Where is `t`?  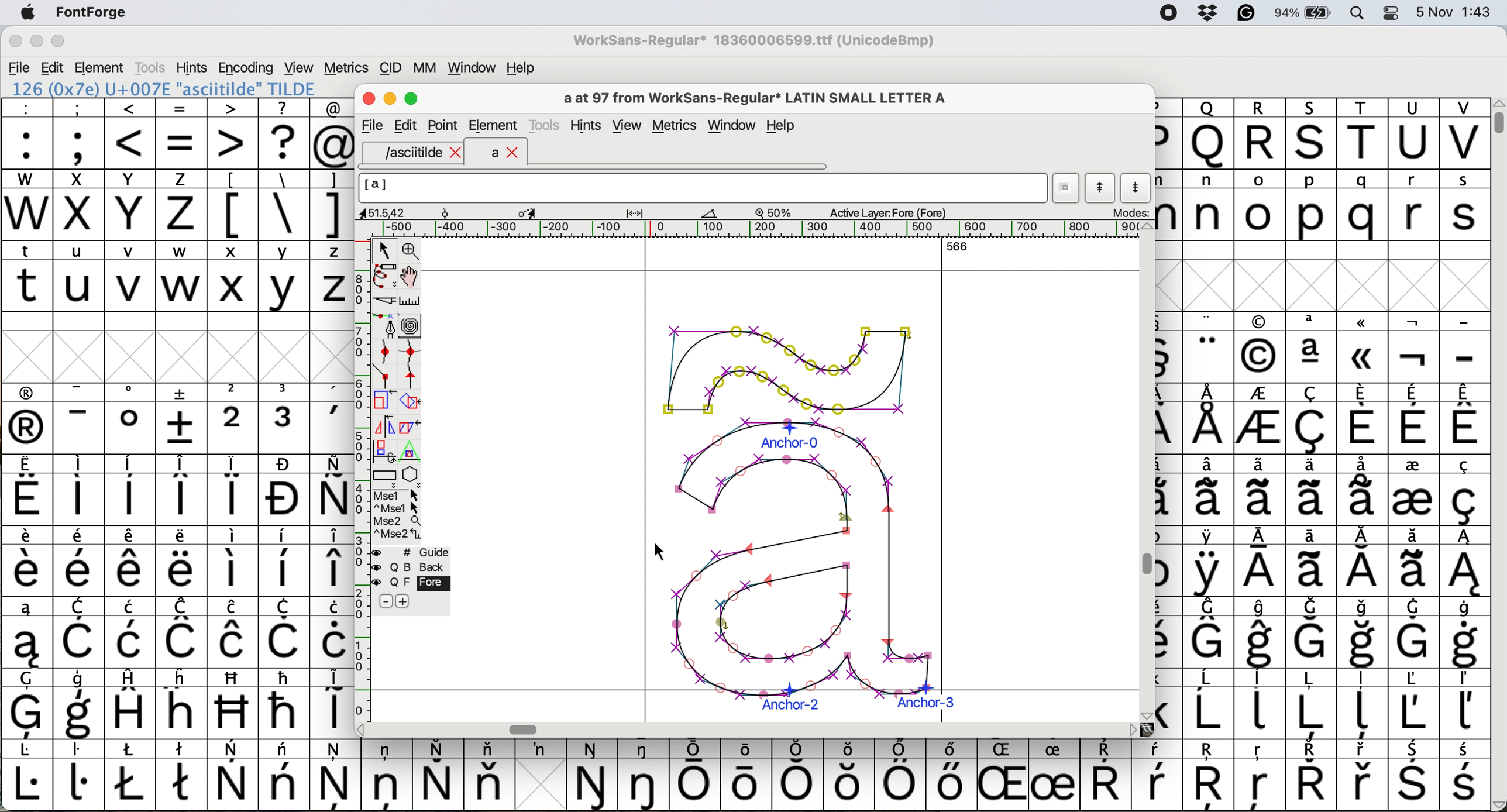 t is located at coordinates (27, 275).